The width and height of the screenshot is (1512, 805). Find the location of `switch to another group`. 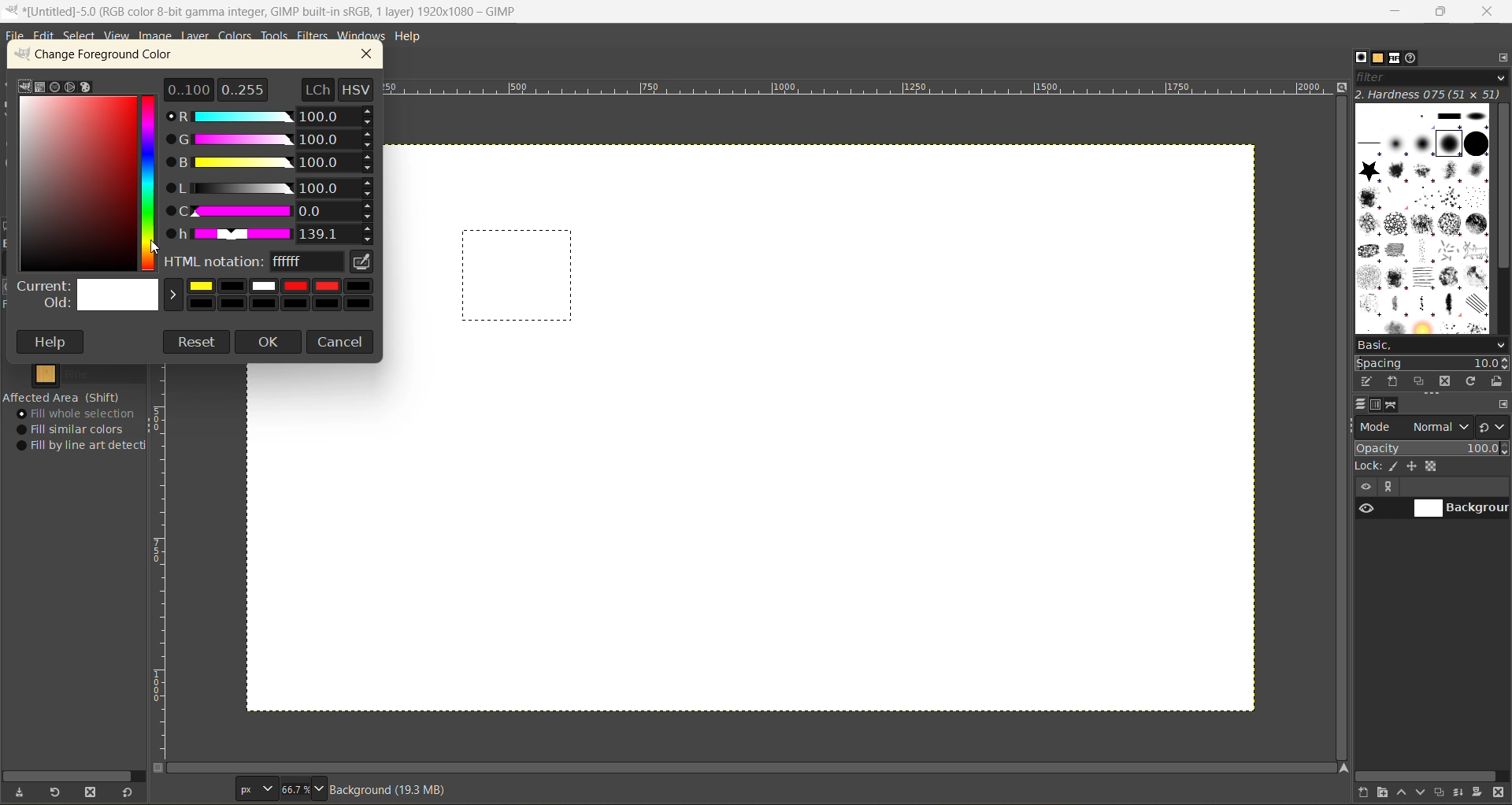

switch to another group is located at coordinates (1494, 426).